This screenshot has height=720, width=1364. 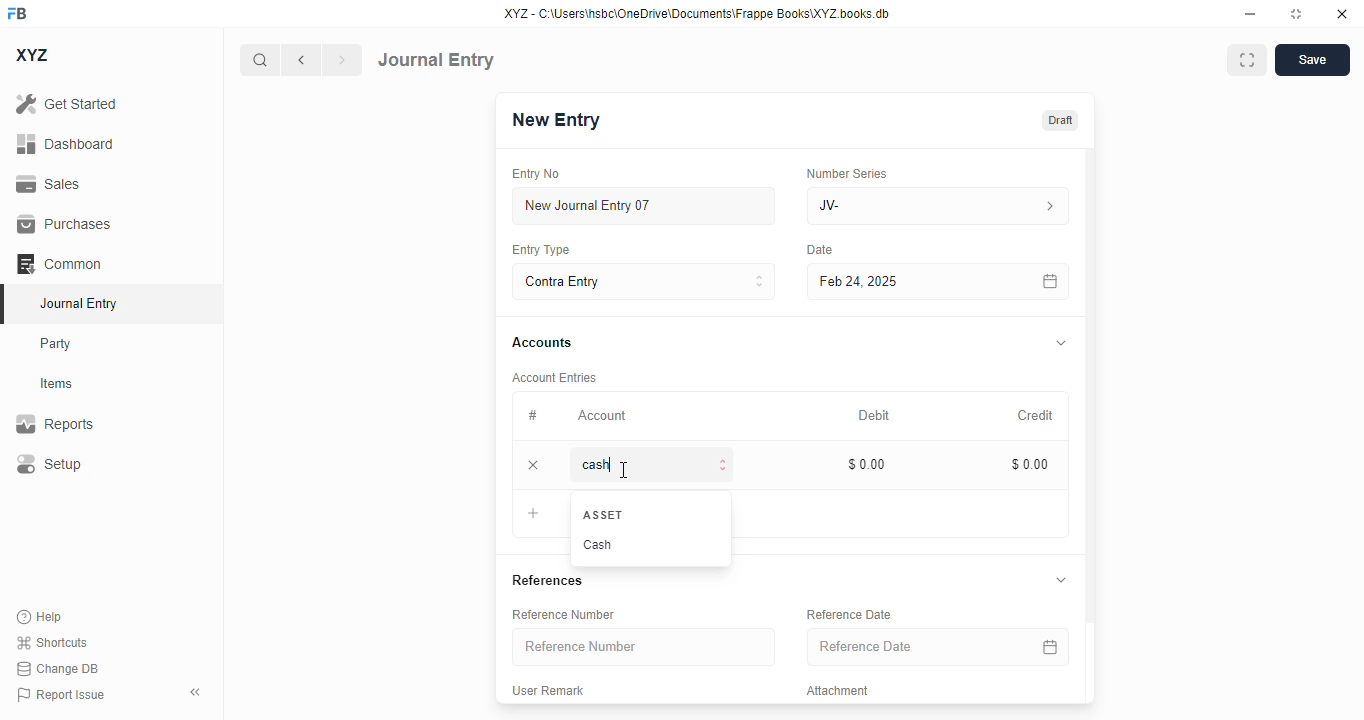 I want to click on XYZ - C:\Users\hsbc\OneDrive\Documents\Frappe Books\XYZ books. db, so click(x=697, y=14).